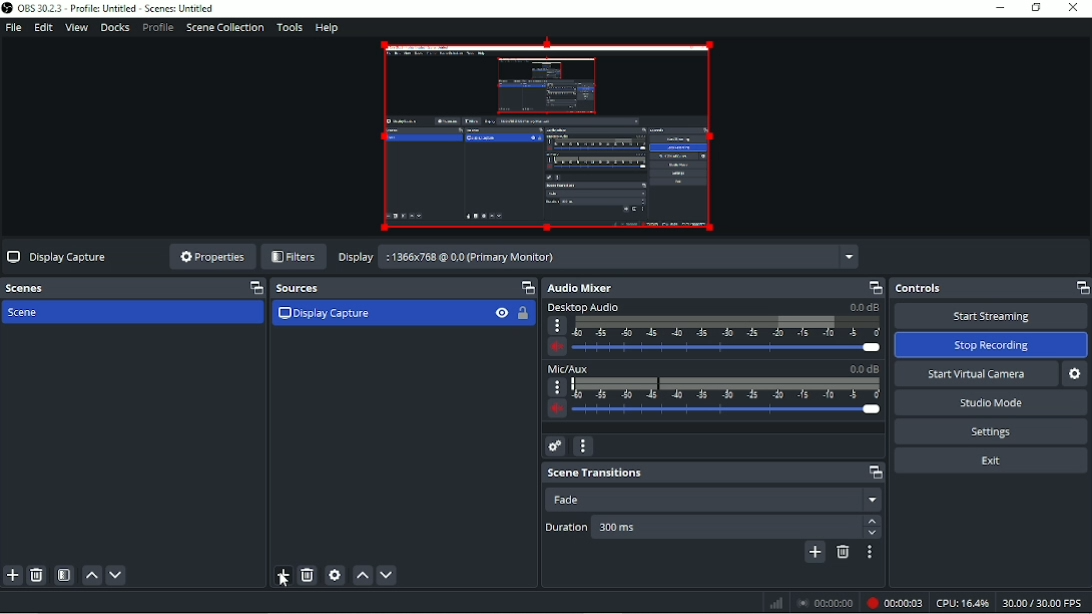  I want to click on Configure virtual camera, so click(1075, 374).